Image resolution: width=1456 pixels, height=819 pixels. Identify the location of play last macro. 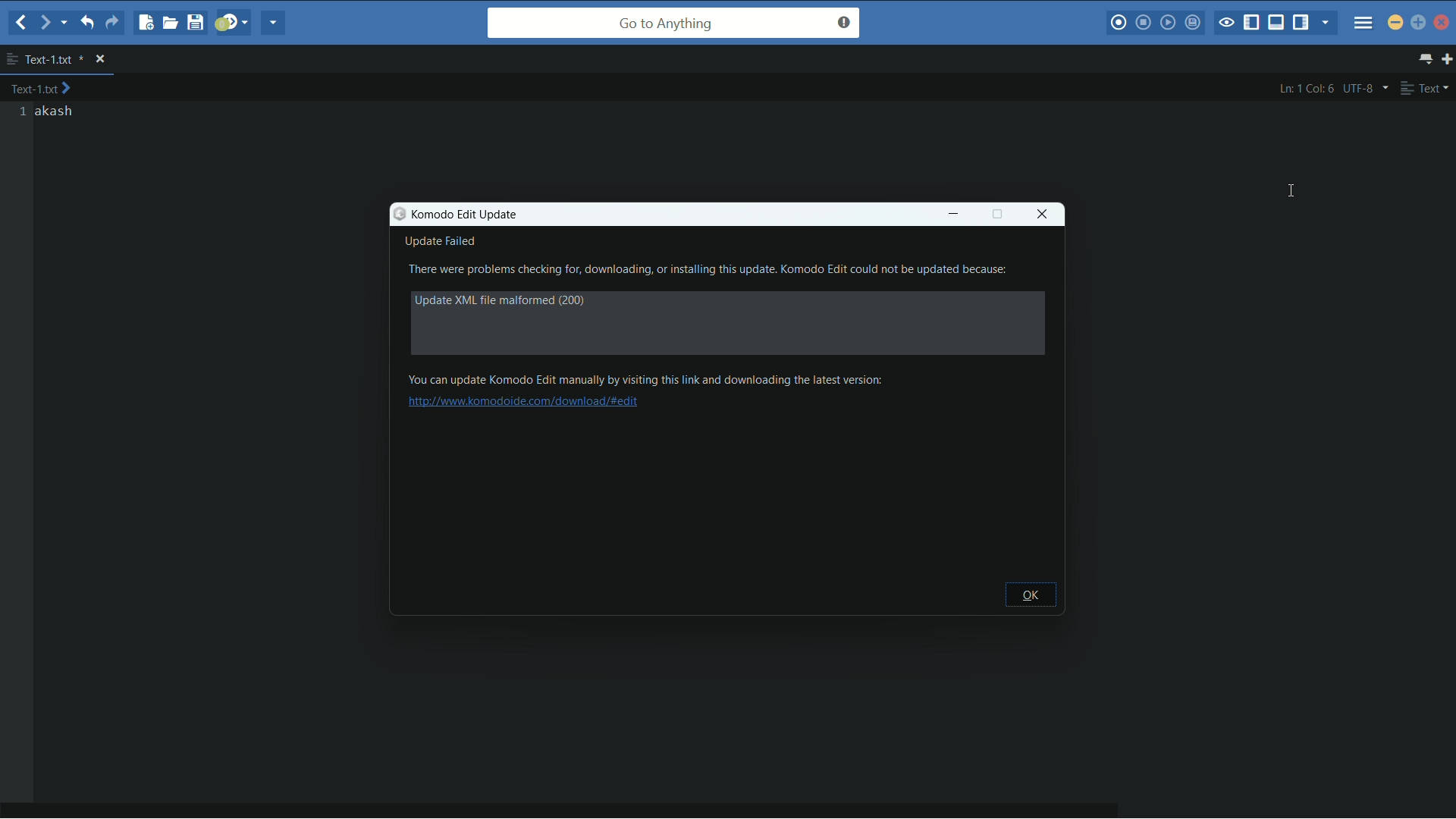
(1170, 22).